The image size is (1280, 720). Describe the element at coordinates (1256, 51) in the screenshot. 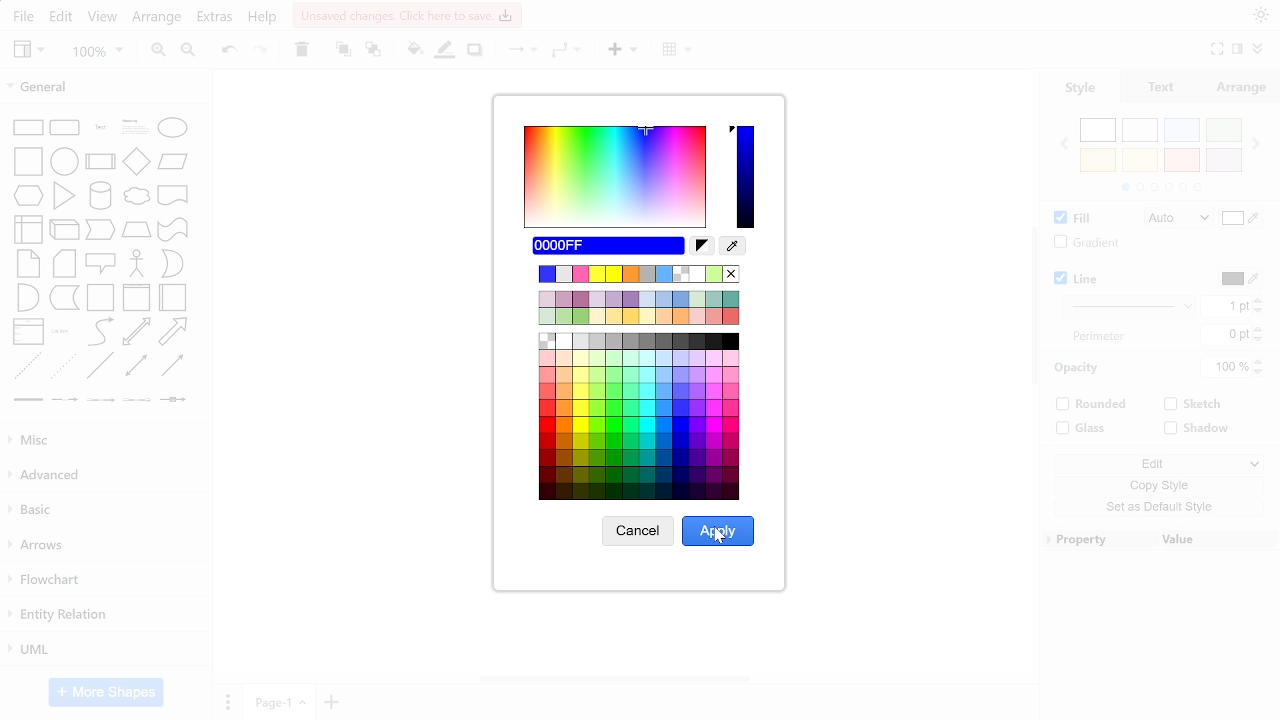

I see `format` at that location.